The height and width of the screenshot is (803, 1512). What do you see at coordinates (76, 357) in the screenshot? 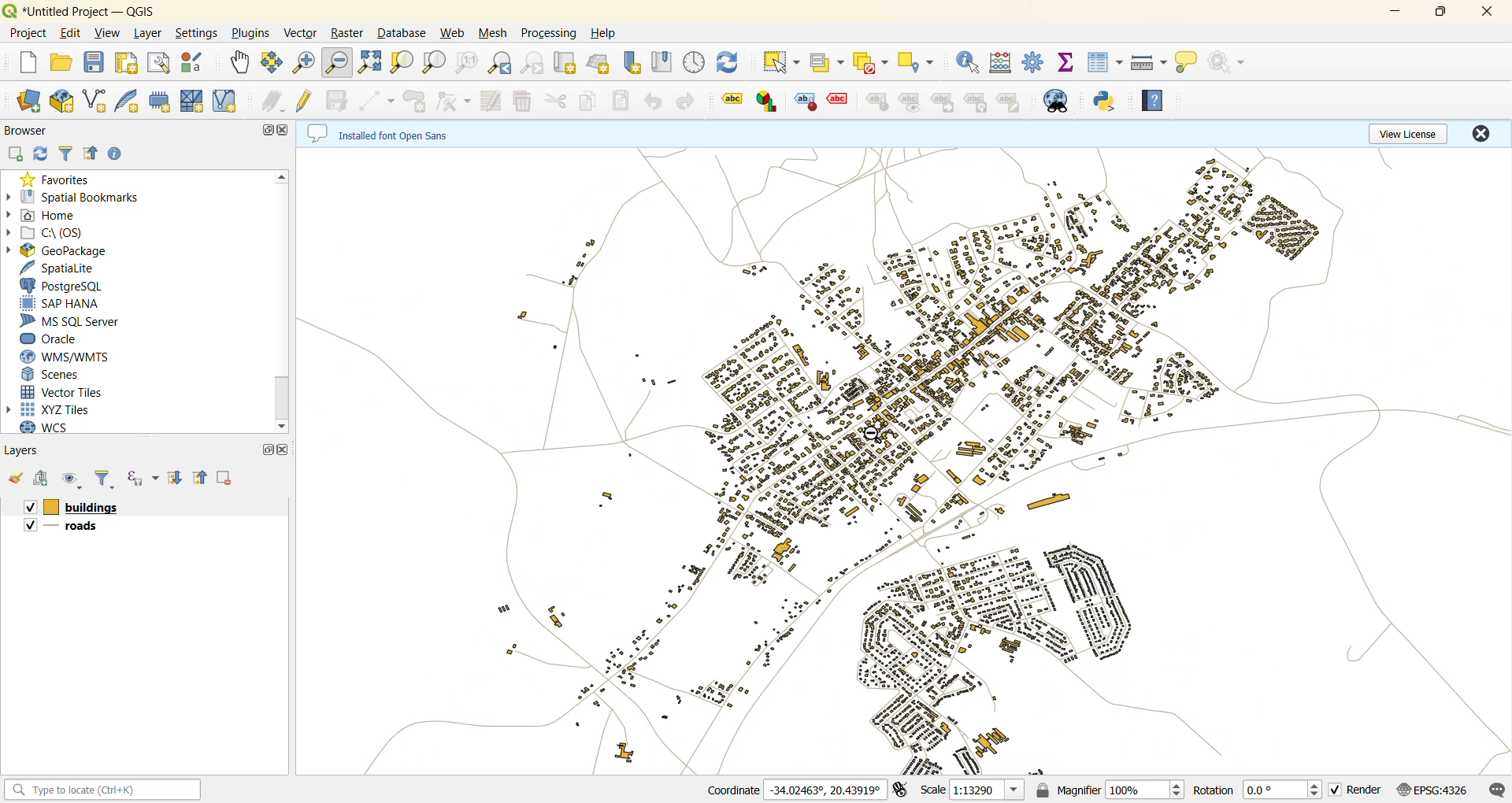
I see `wms/wmts` at bounding box center [76, 357].